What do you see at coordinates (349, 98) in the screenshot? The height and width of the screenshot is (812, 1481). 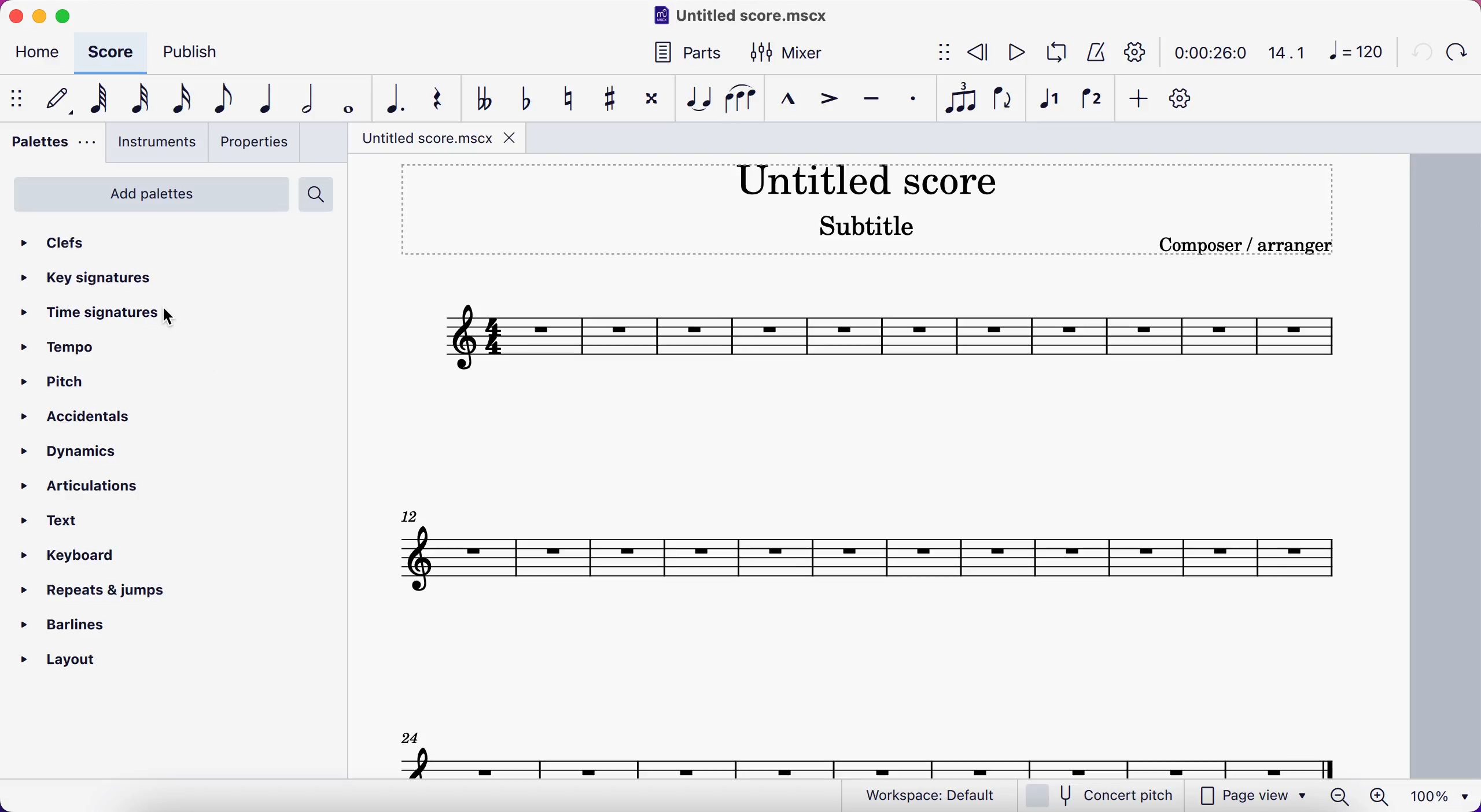 I see `whole note` at bounding box center [349, 98].